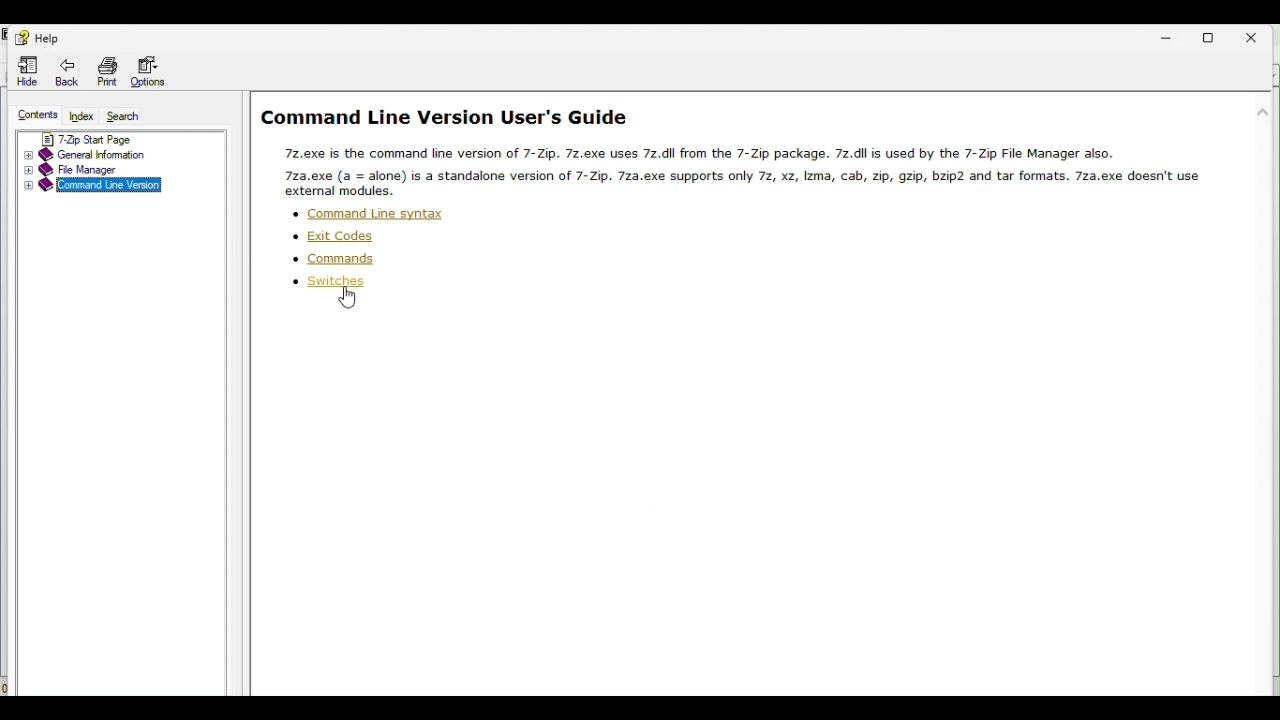 The width and height of the screenshot is (1280, 720). I want to click on Index, so click(81, 117).